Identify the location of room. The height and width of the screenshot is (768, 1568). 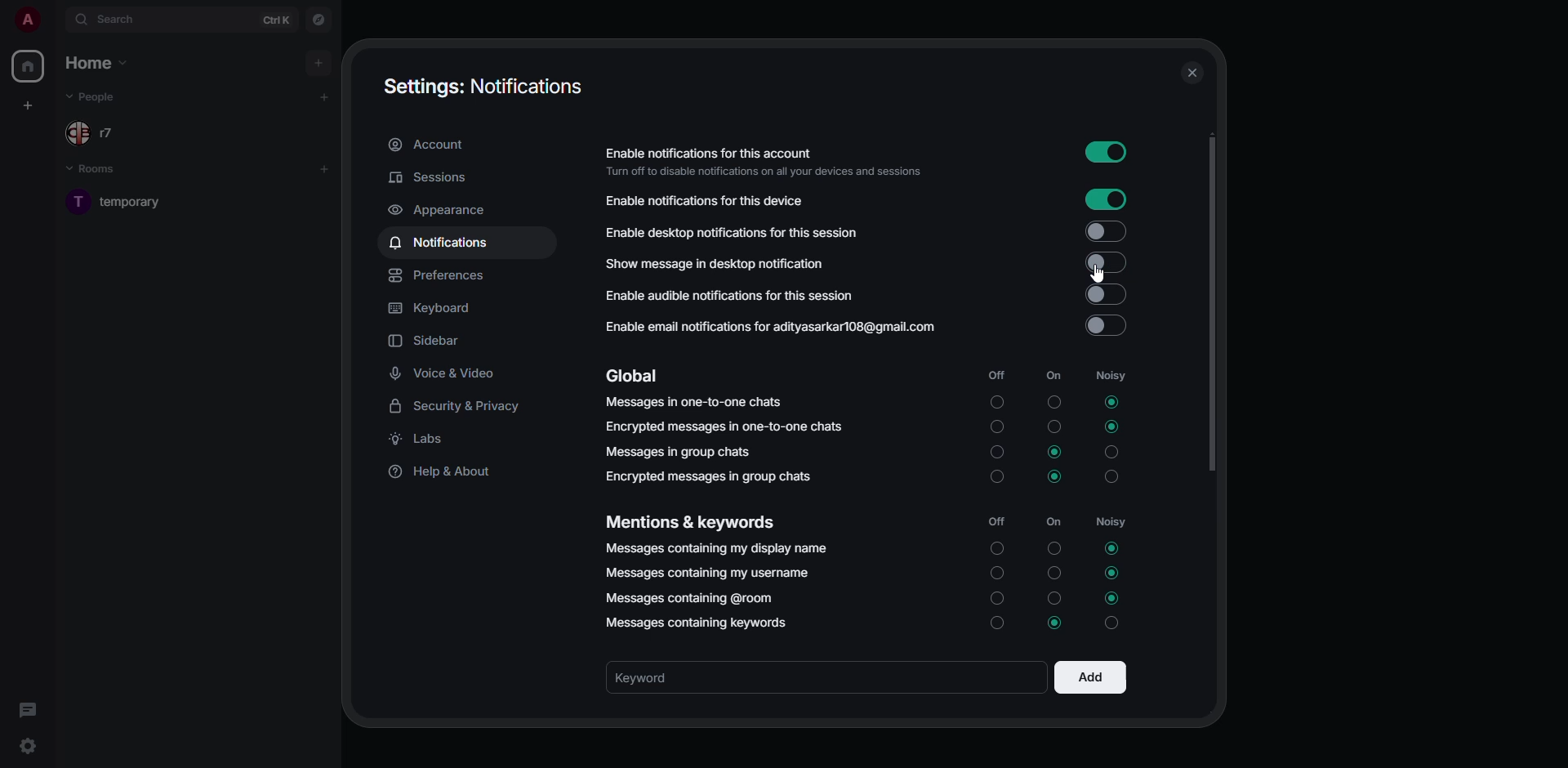
(140, 200).